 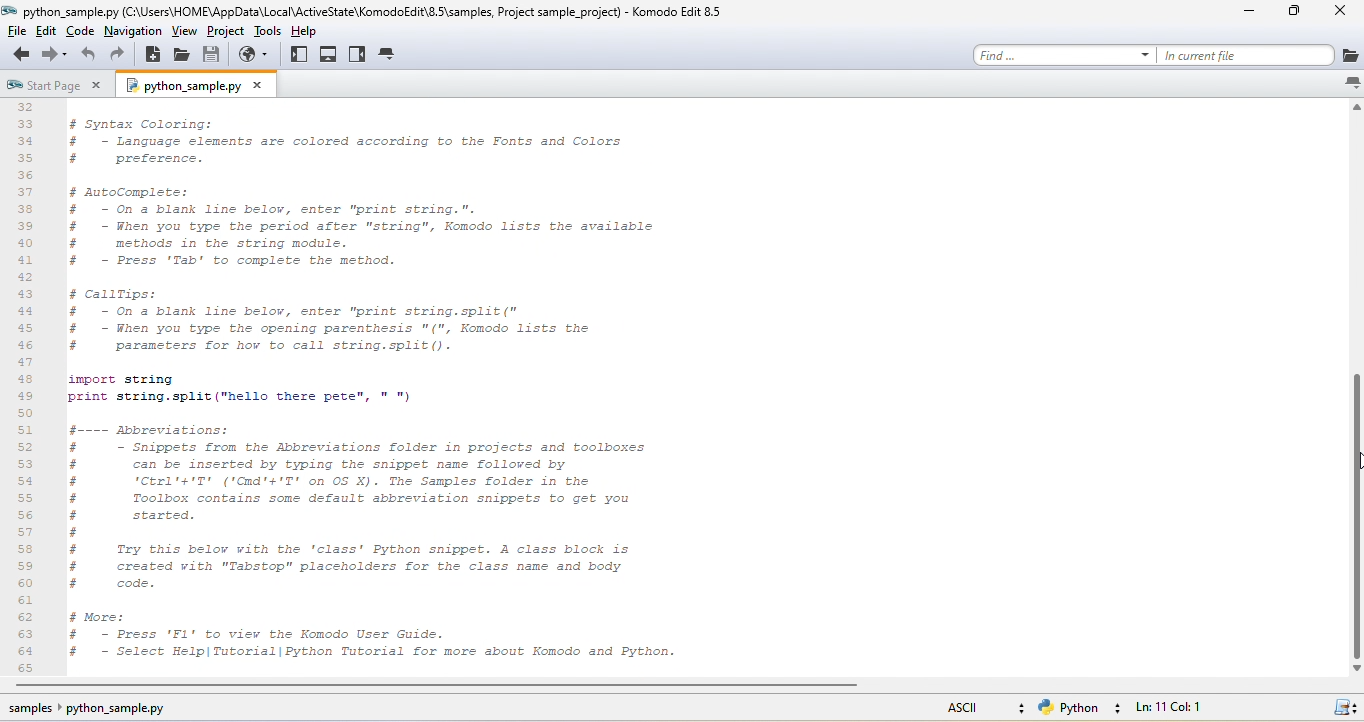 I want to click on edit, so click(x=51, y=32).